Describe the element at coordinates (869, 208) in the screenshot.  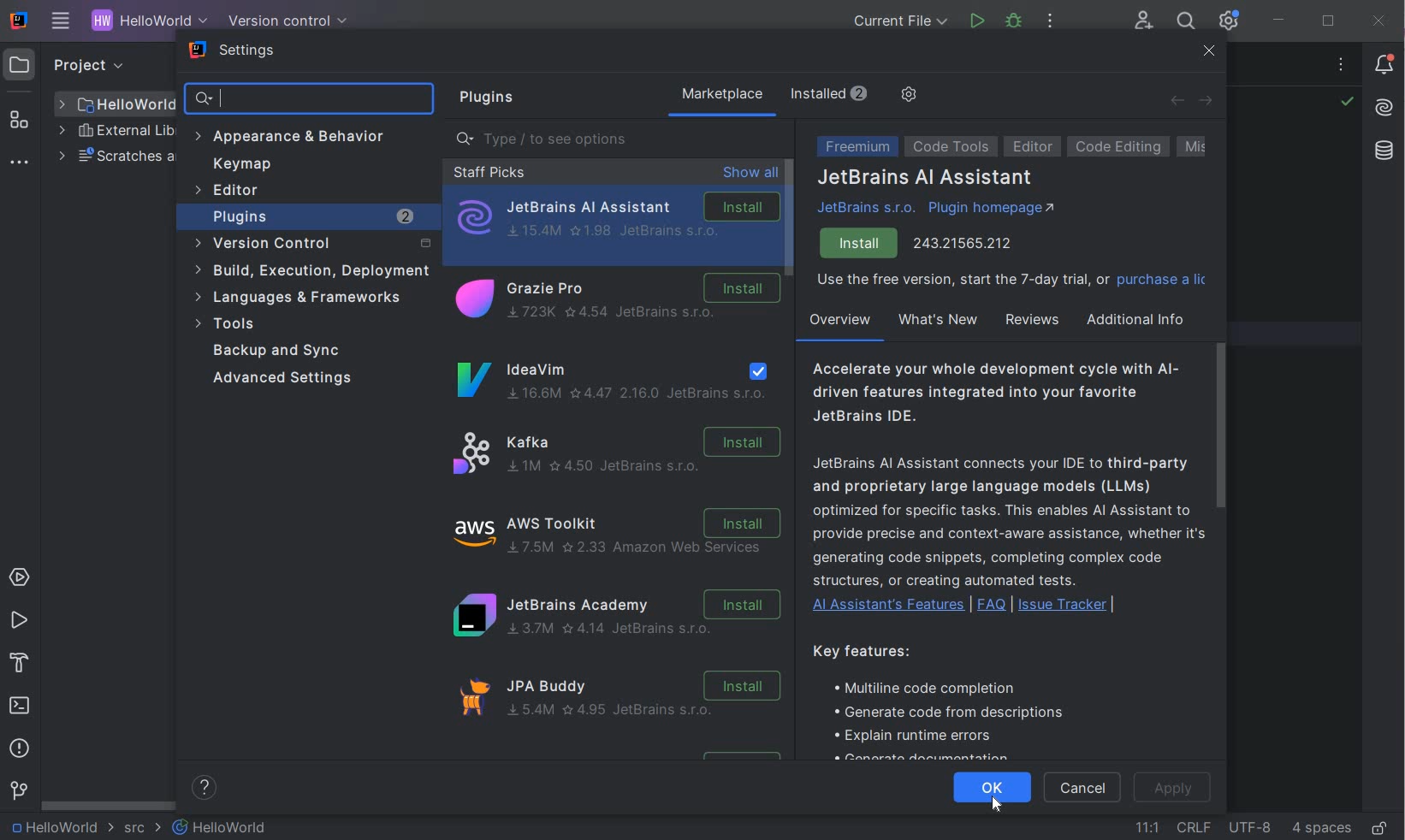
I see `JetBrains s.r.o` at that location.